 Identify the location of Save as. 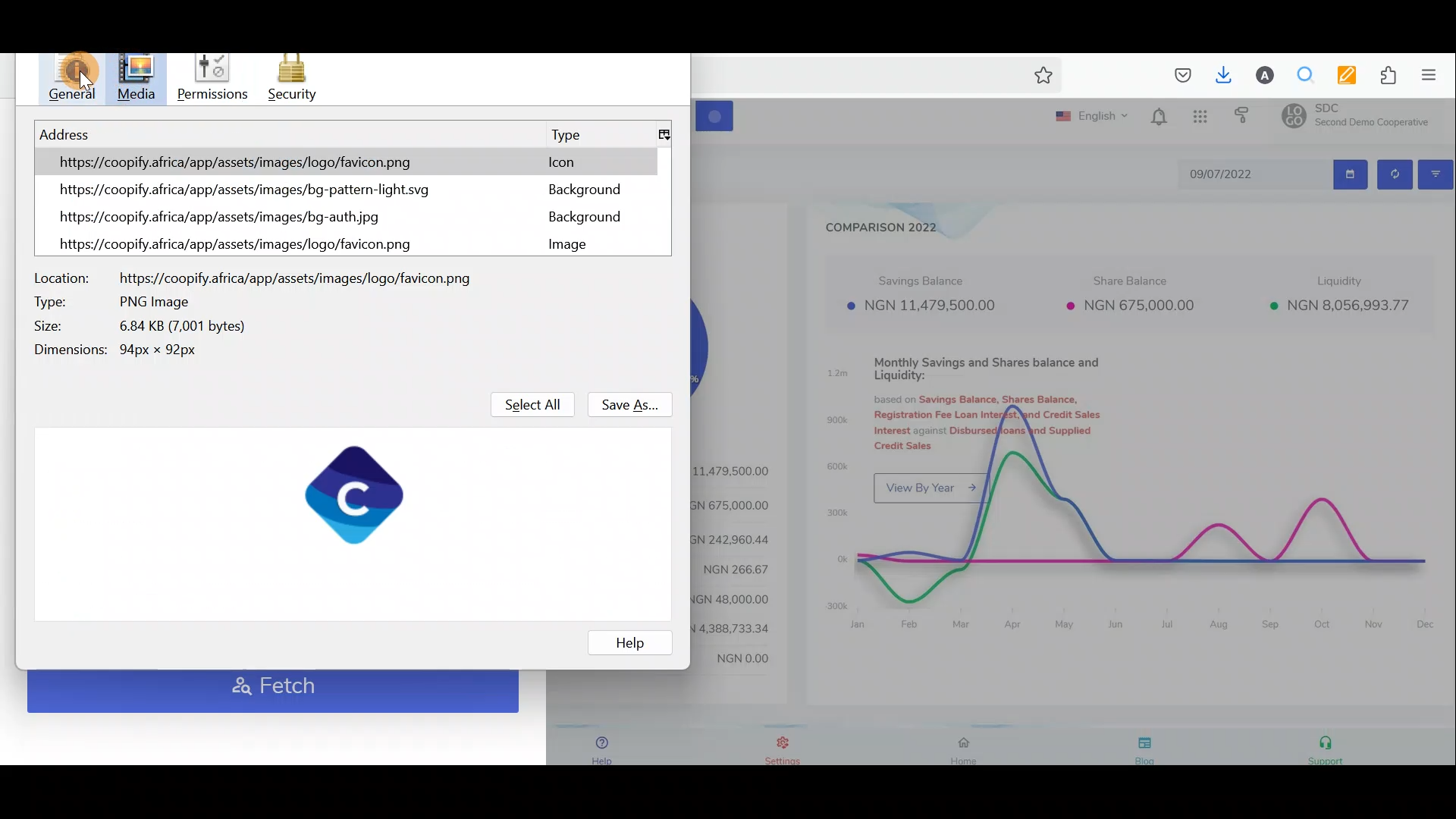
(630, 403).